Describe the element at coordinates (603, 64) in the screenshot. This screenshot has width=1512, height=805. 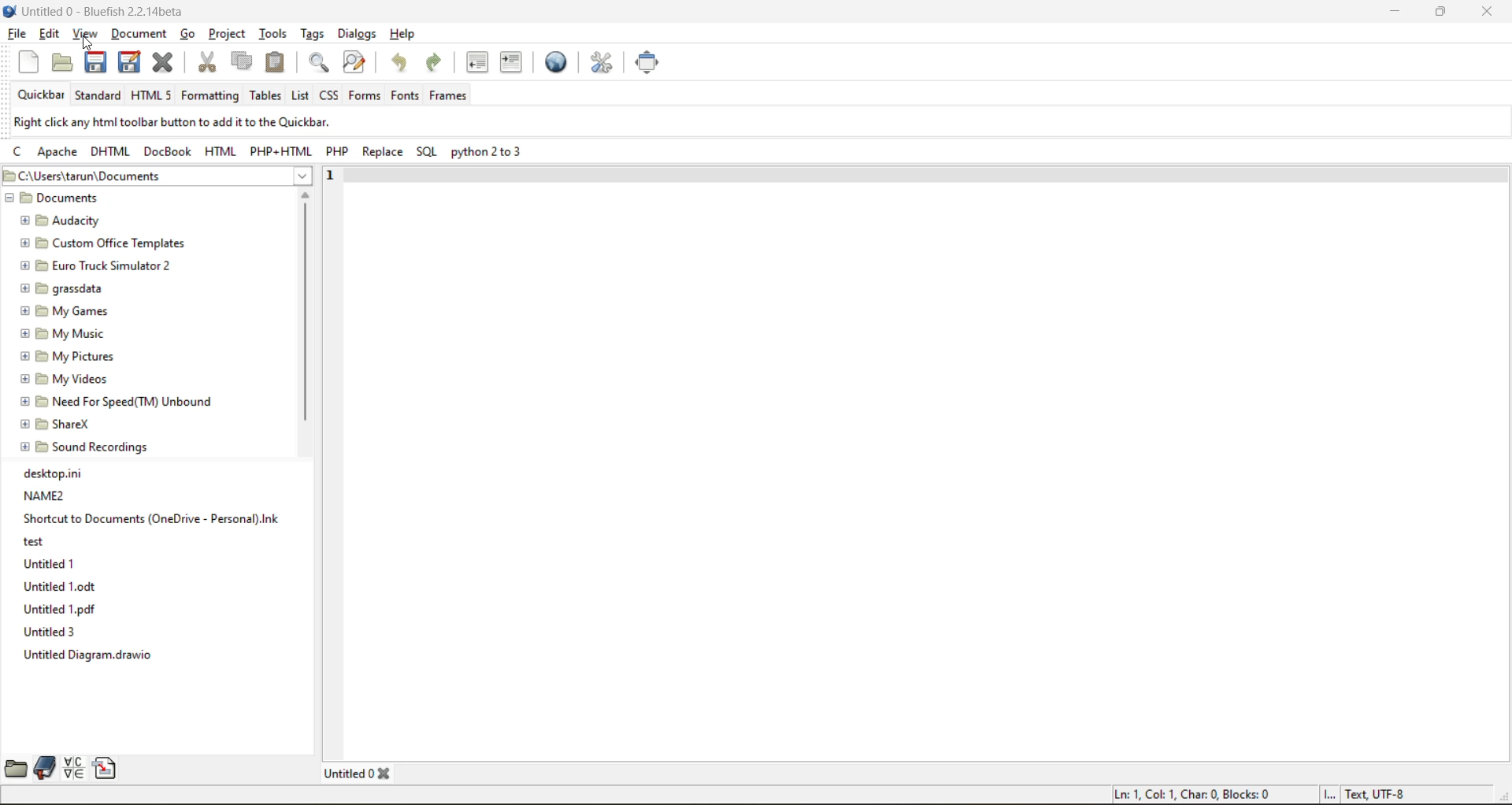
I see `edit preferences` at that location.